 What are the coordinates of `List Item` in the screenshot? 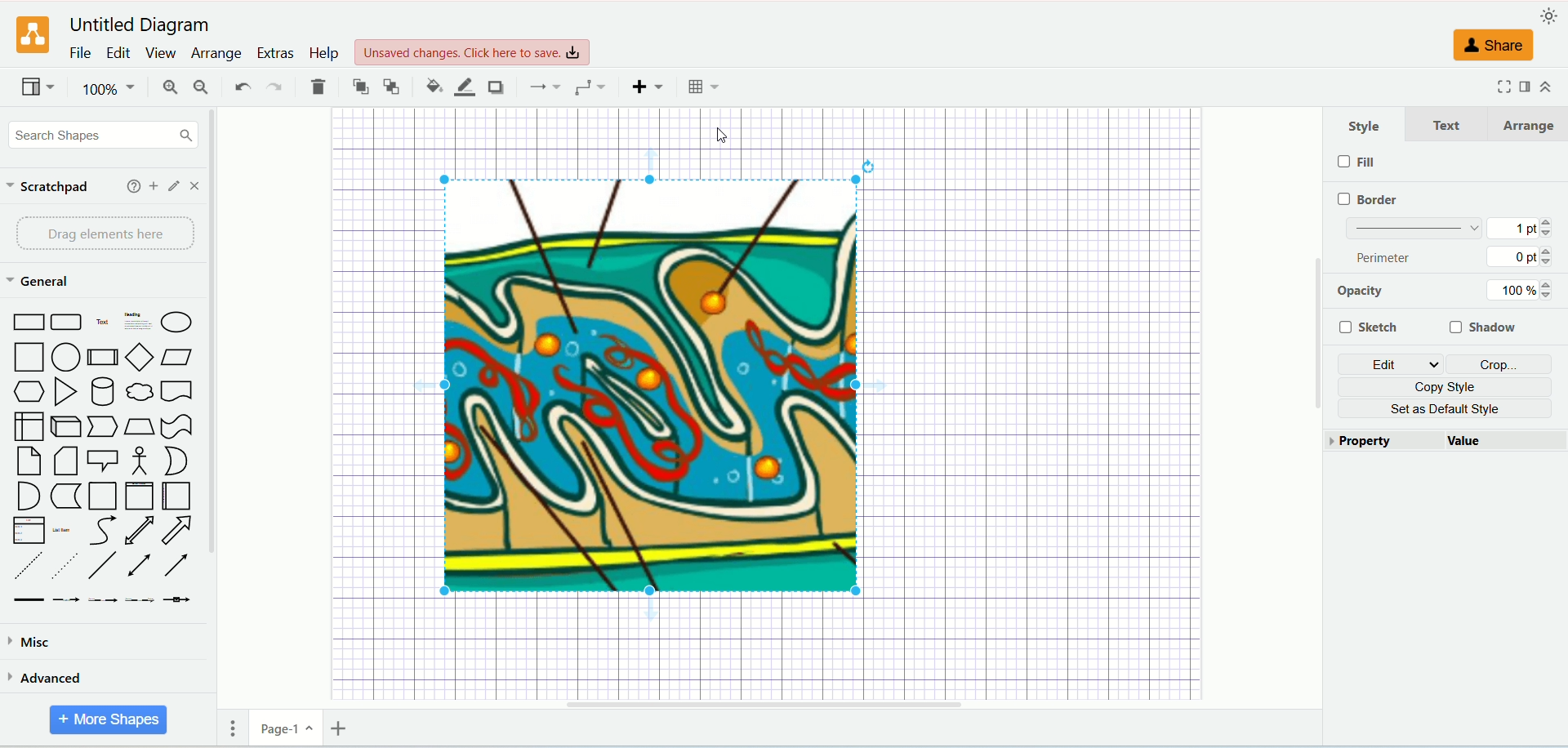 It's located at (63, 530).